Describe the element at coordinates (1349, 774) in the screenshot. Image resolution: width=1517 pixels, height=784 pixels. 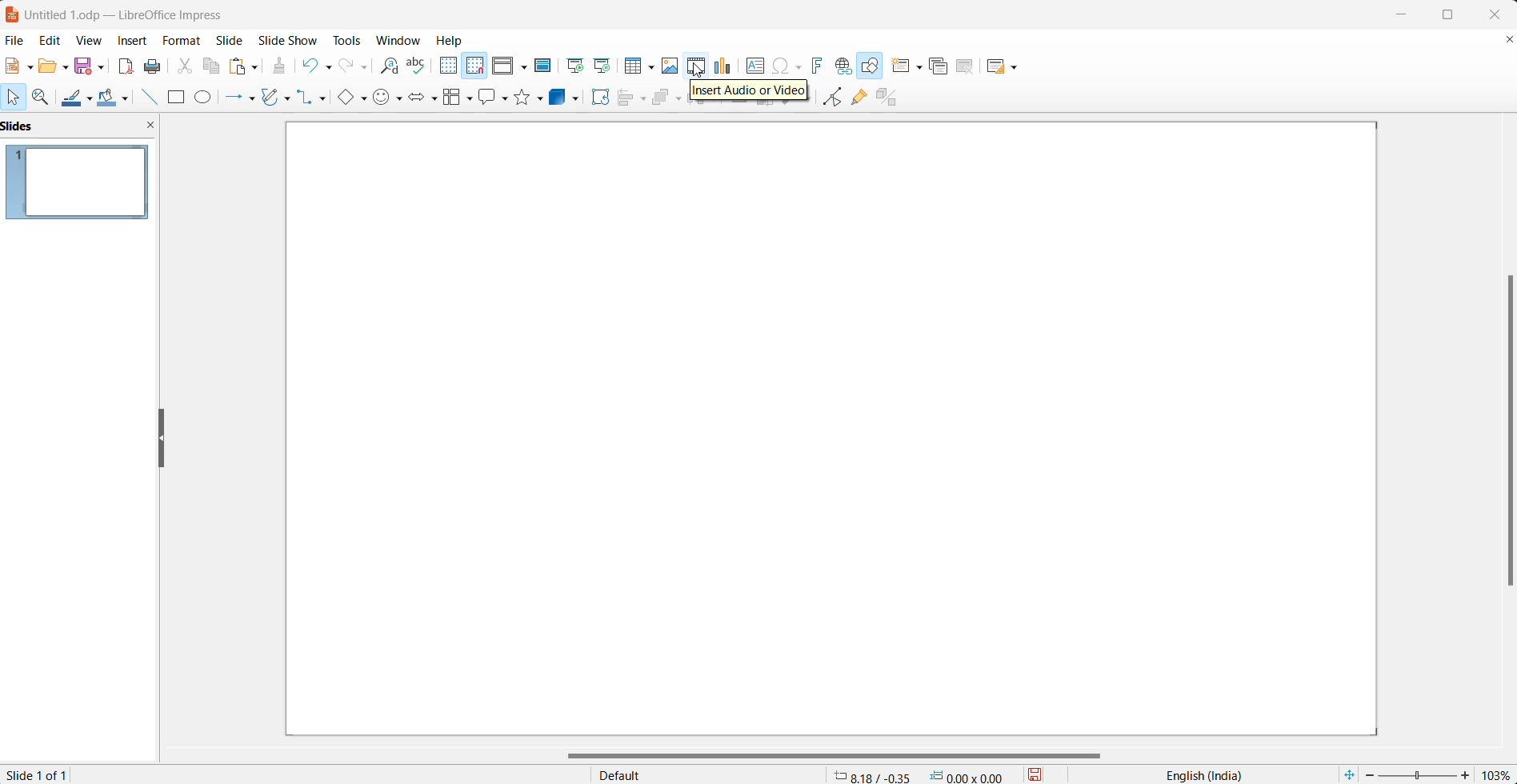
I see `fit current slide to windows` at that location.